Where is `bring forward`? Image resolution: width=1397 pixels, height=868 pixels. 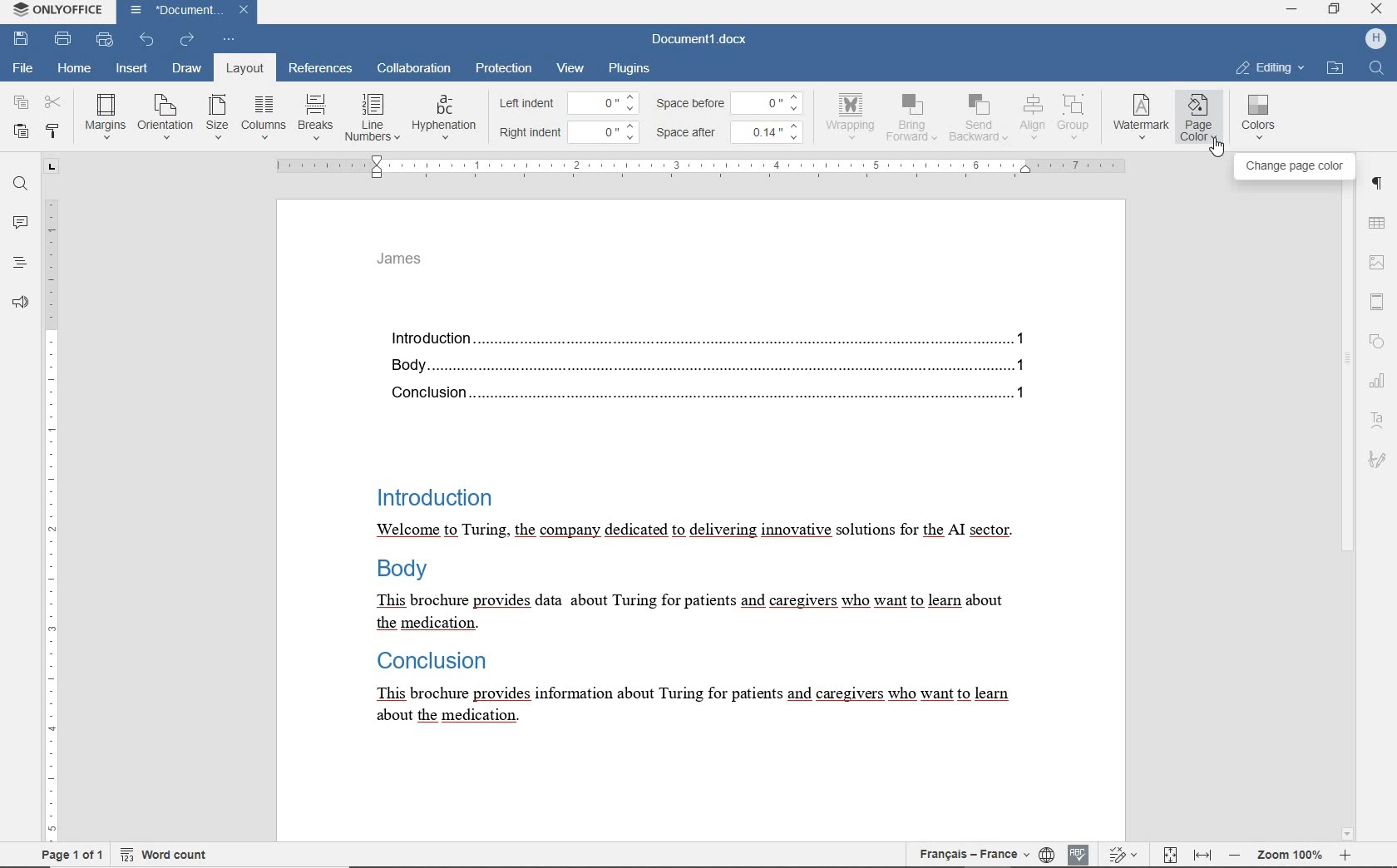
bring forward is located at coordinates (912, 118).